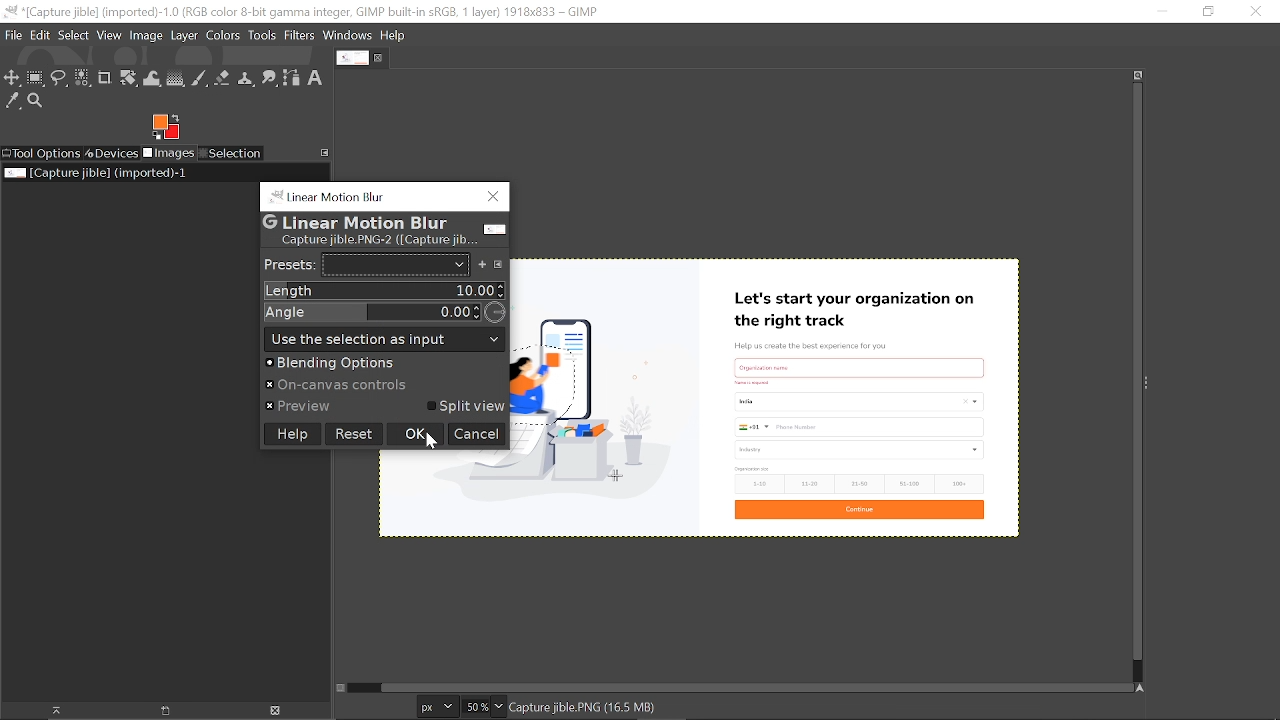  What do you see at coordinates (356, 219) in the screenshot?
I see `G Linear Motion Blur` at bounding box center [356, 219].